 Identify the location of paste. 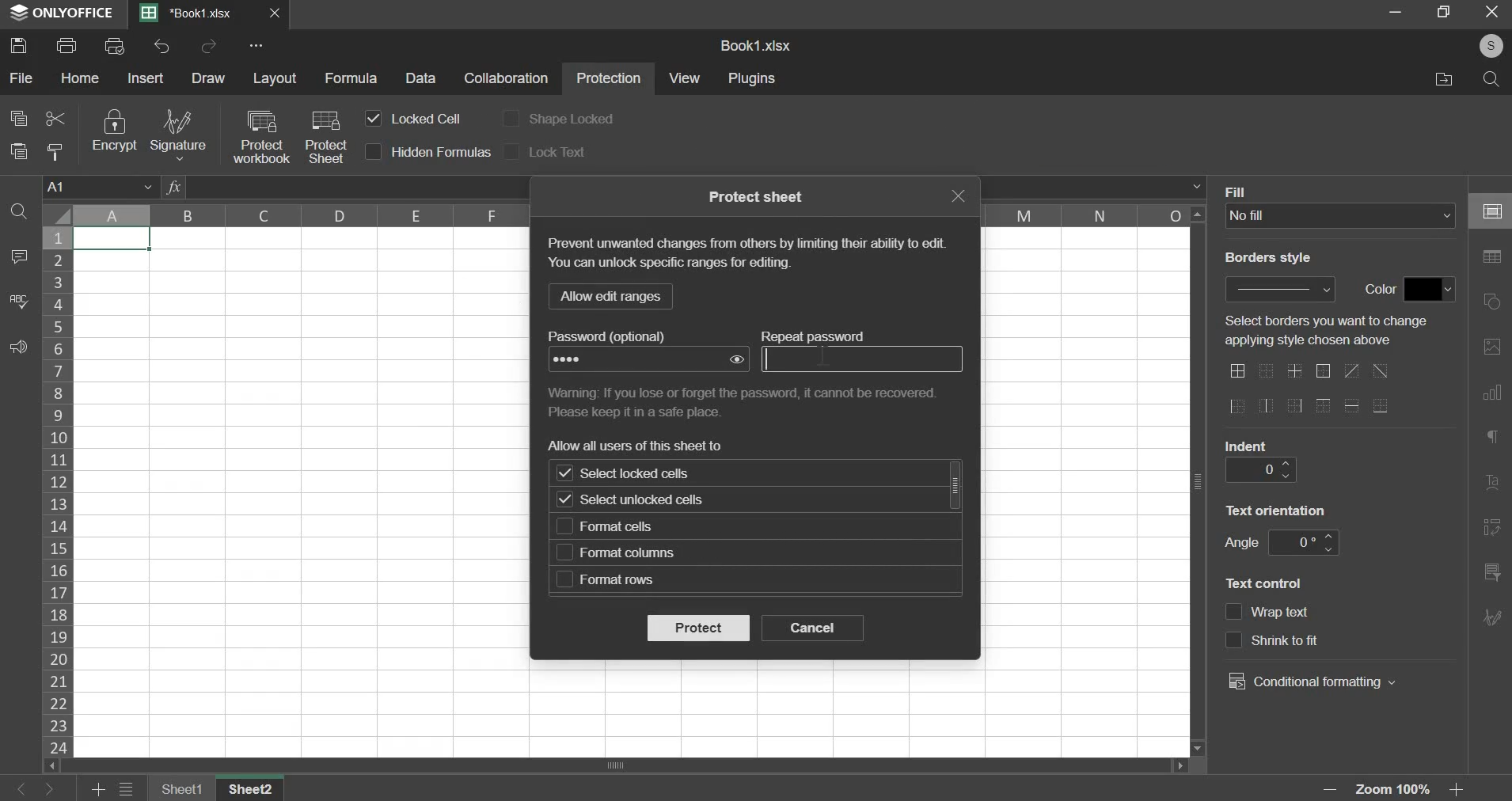
(18, 150).